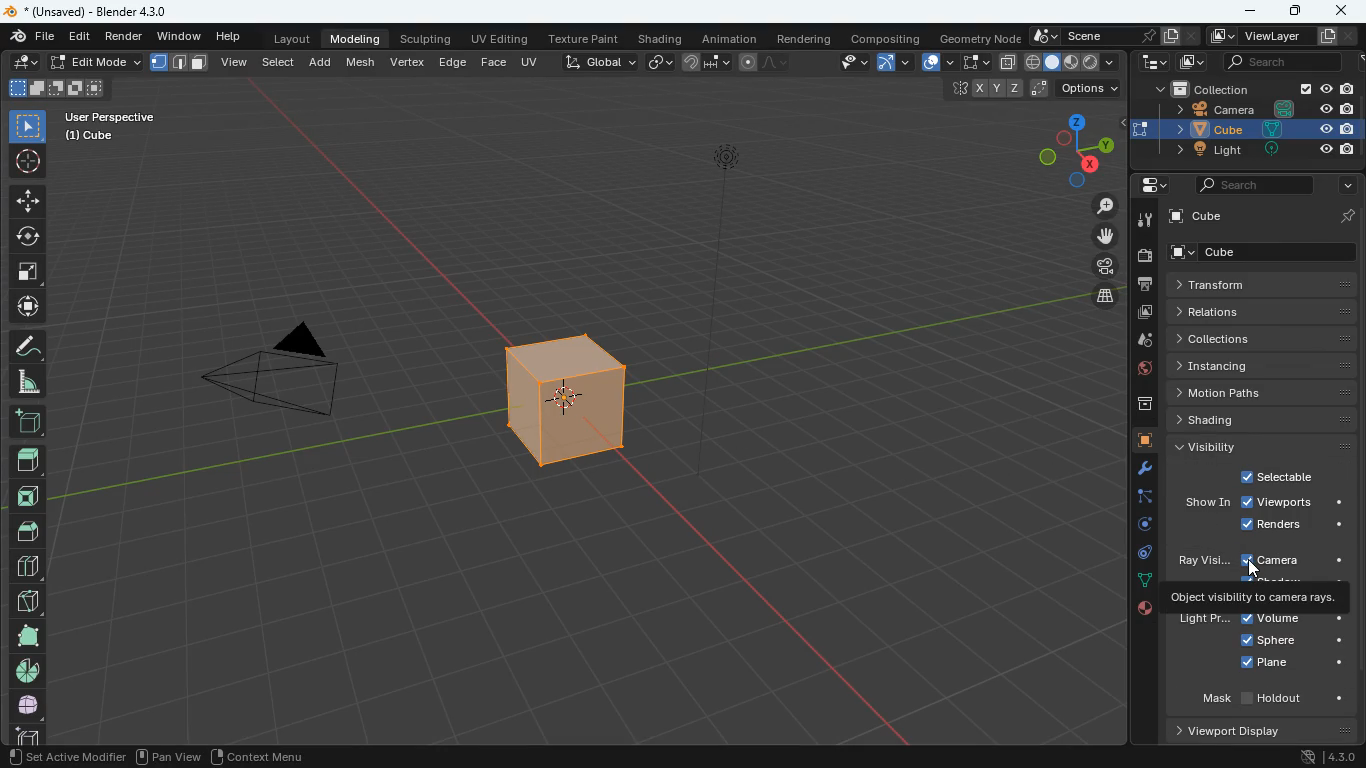 The height and width of the screenshot is (768, 1366). Describe the element at coordinates (1264, 419) in the screenshot. I see `shading` at that location.